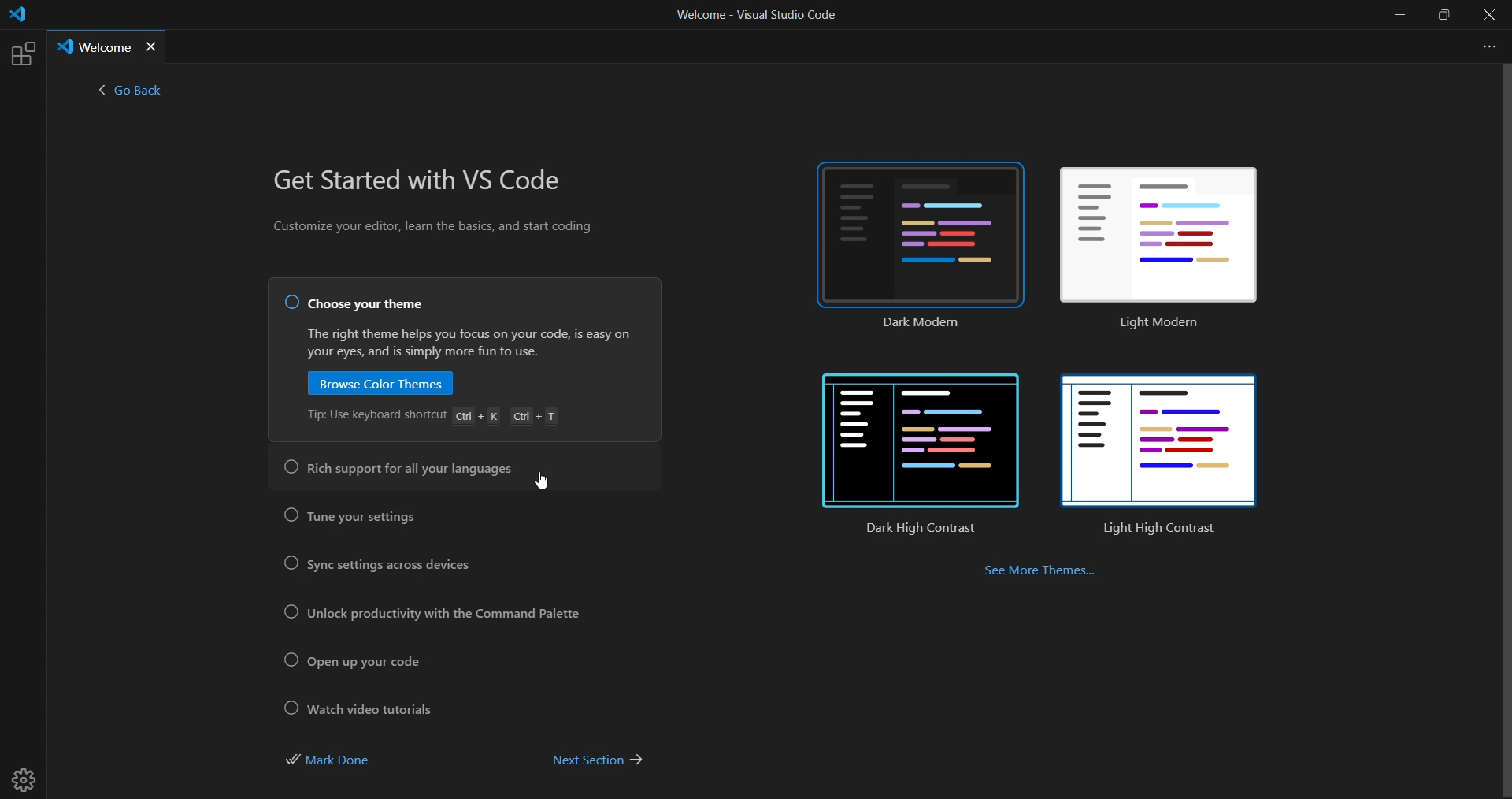  I want to click on light high contrast, so click(1160, 438).